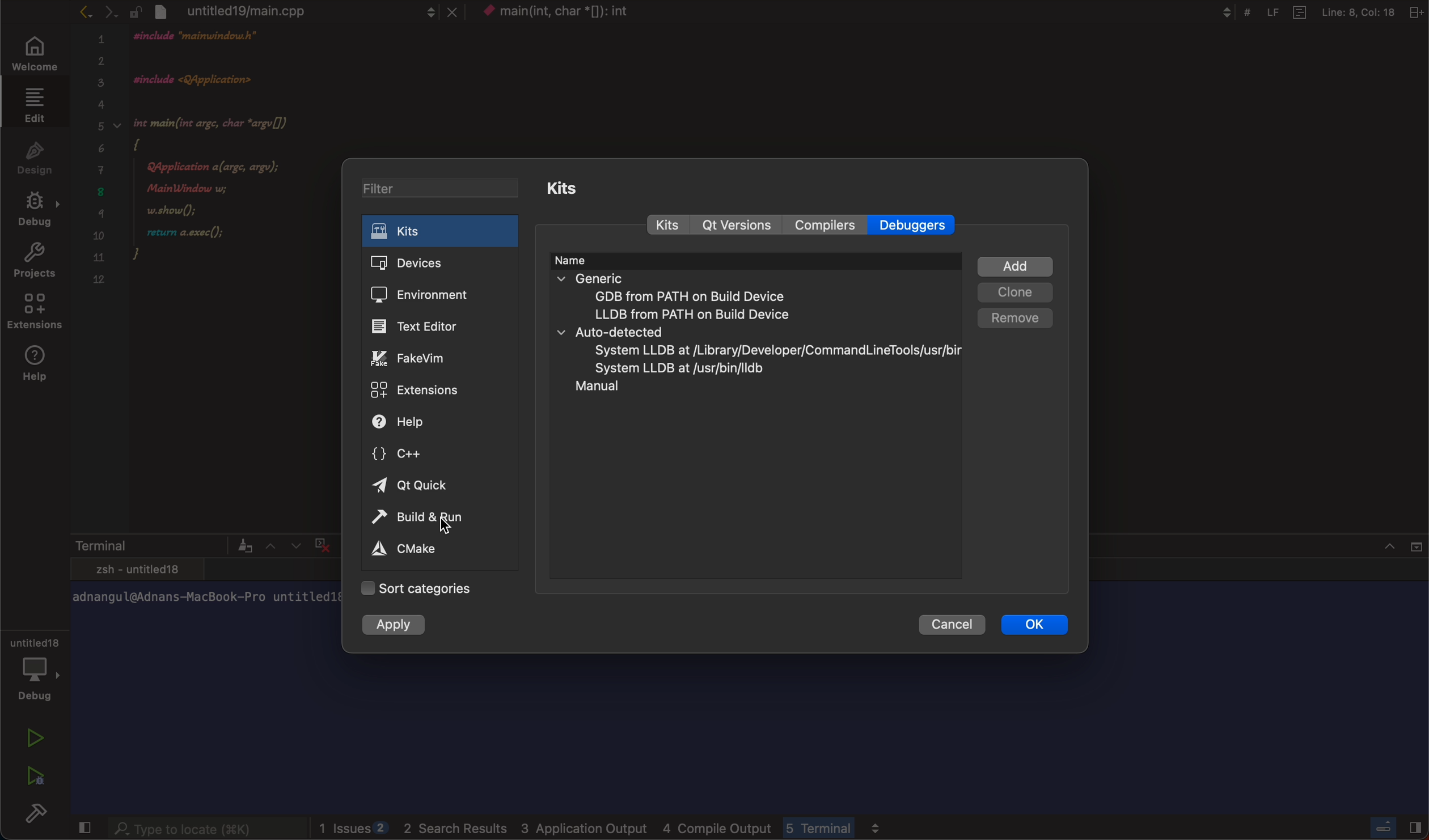 Image resolution: width=1429 pixels, height=840 pixels. I want to click on close slidebar, so click(1392, 826).